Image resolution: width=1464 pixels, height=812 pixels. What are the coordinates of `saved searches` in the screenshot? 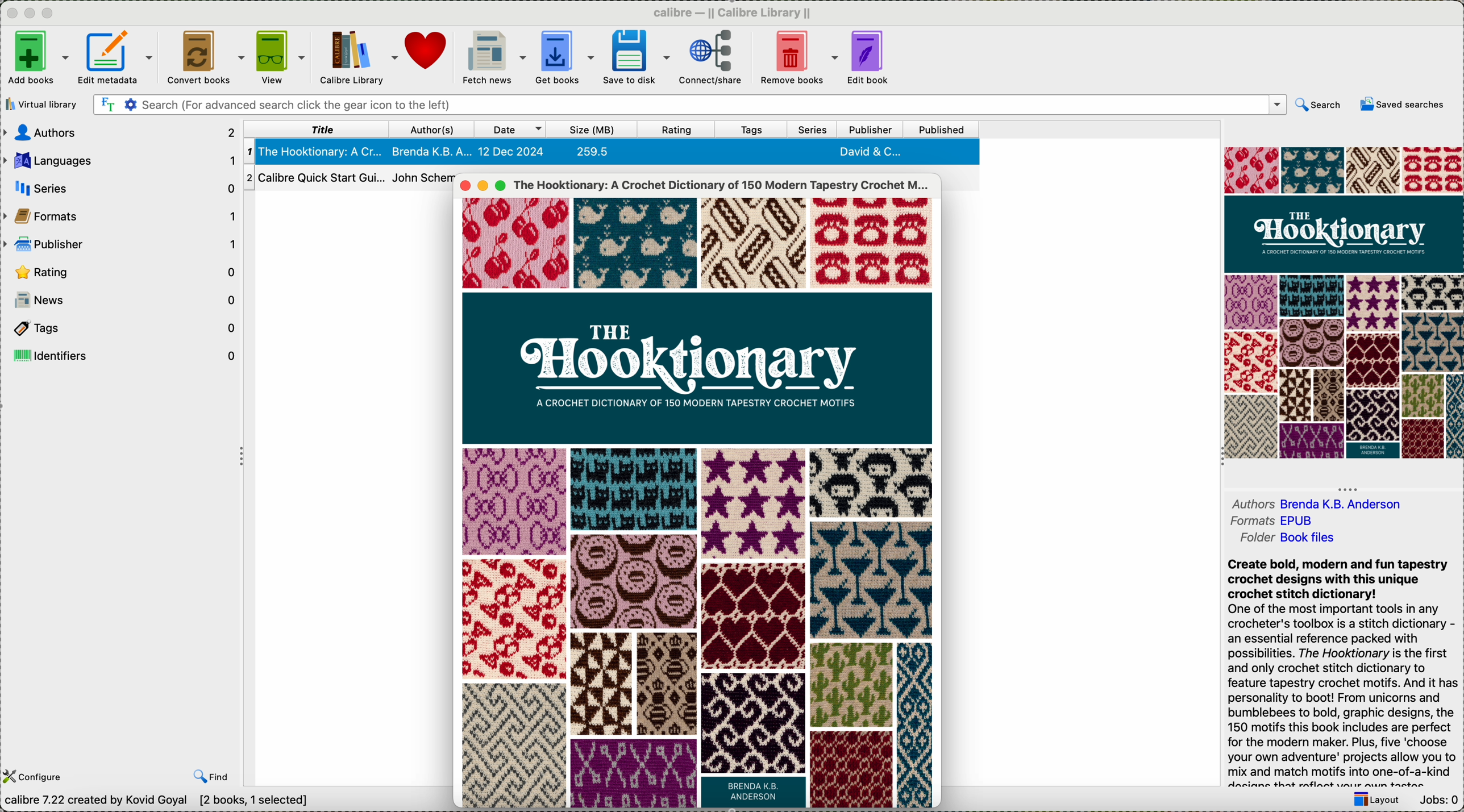 It's located at (1401, 104).